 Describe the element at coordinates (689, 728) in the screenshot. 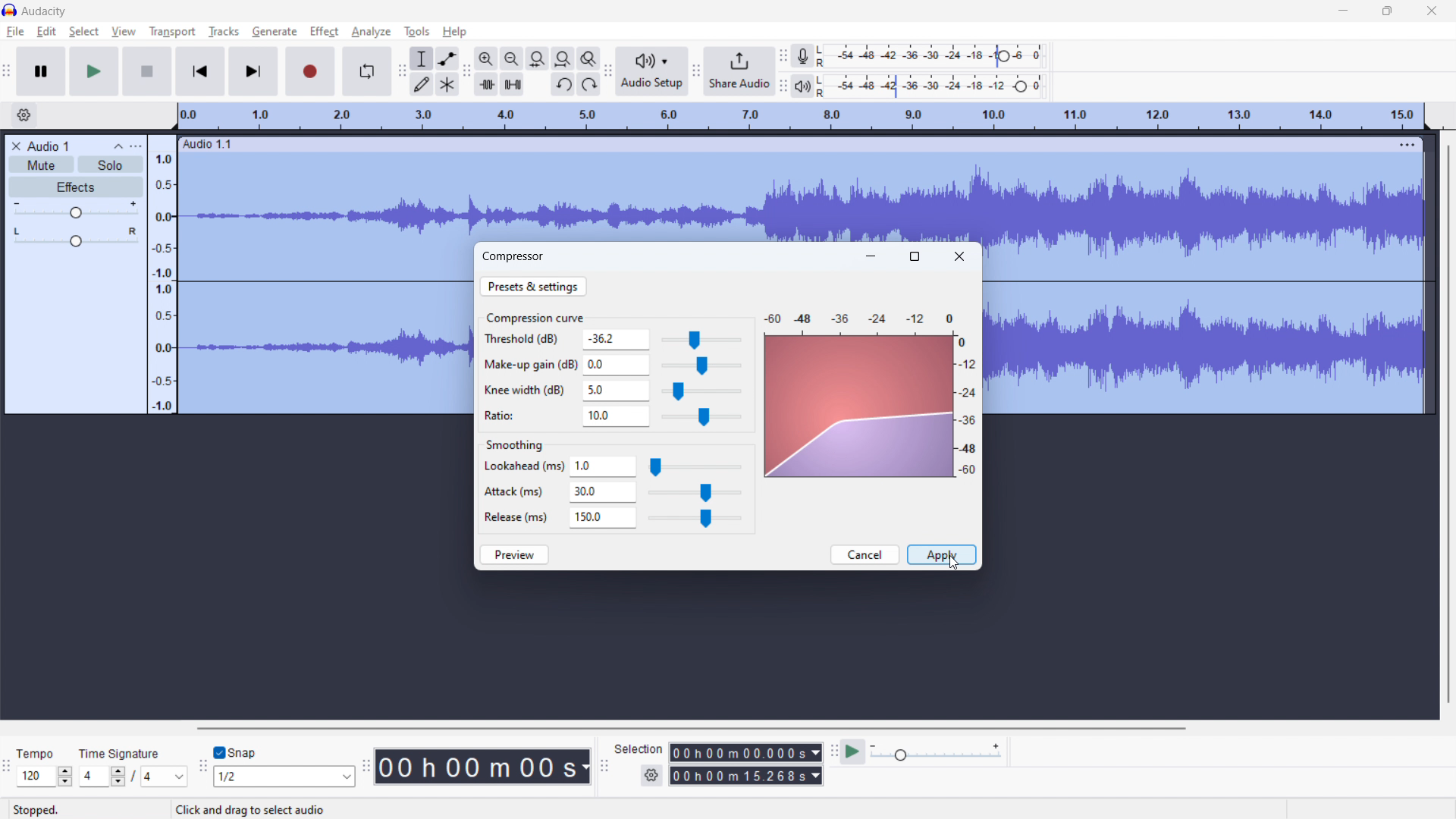

I see `horizontal scrollbar` at that location.